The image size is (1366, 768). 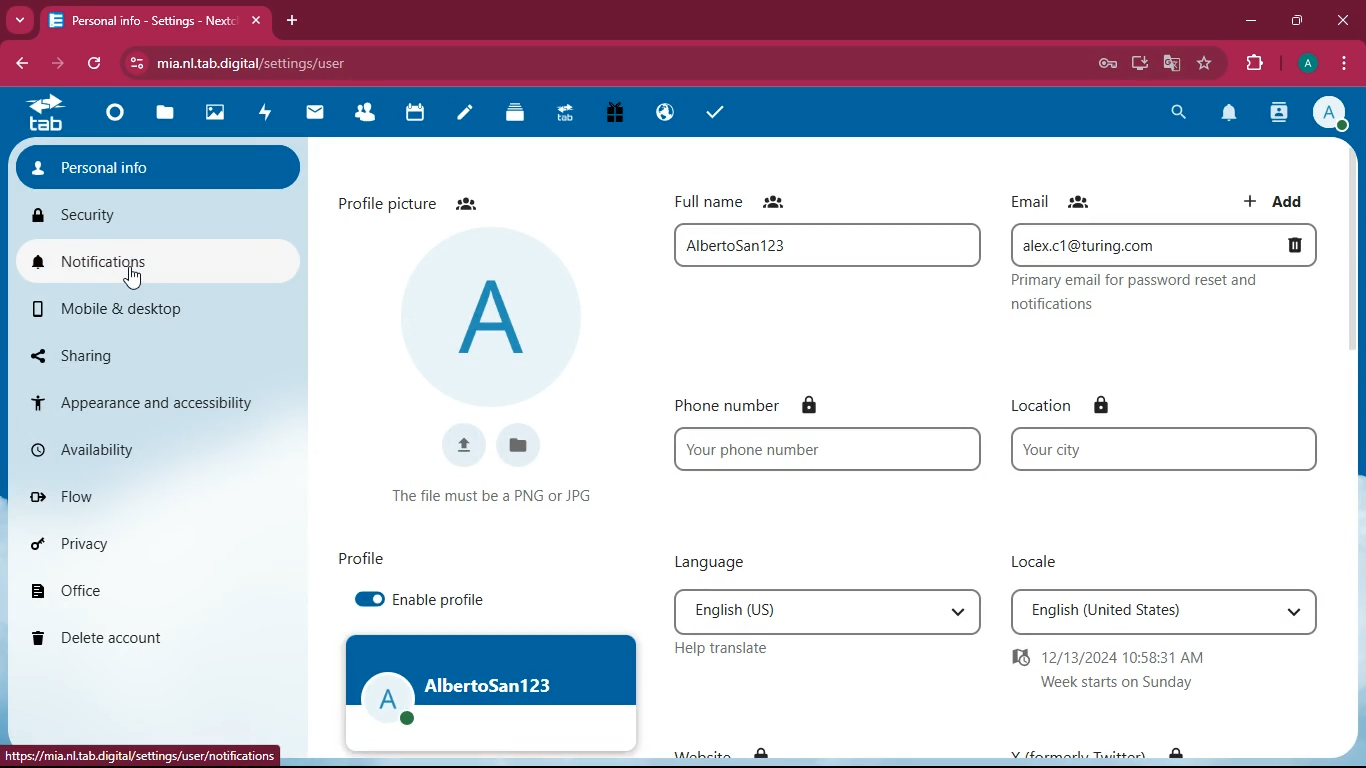 What do you see at coordinates (133, 64) in the screenshot?
I see `View site information` at bounding box center [133, 64].